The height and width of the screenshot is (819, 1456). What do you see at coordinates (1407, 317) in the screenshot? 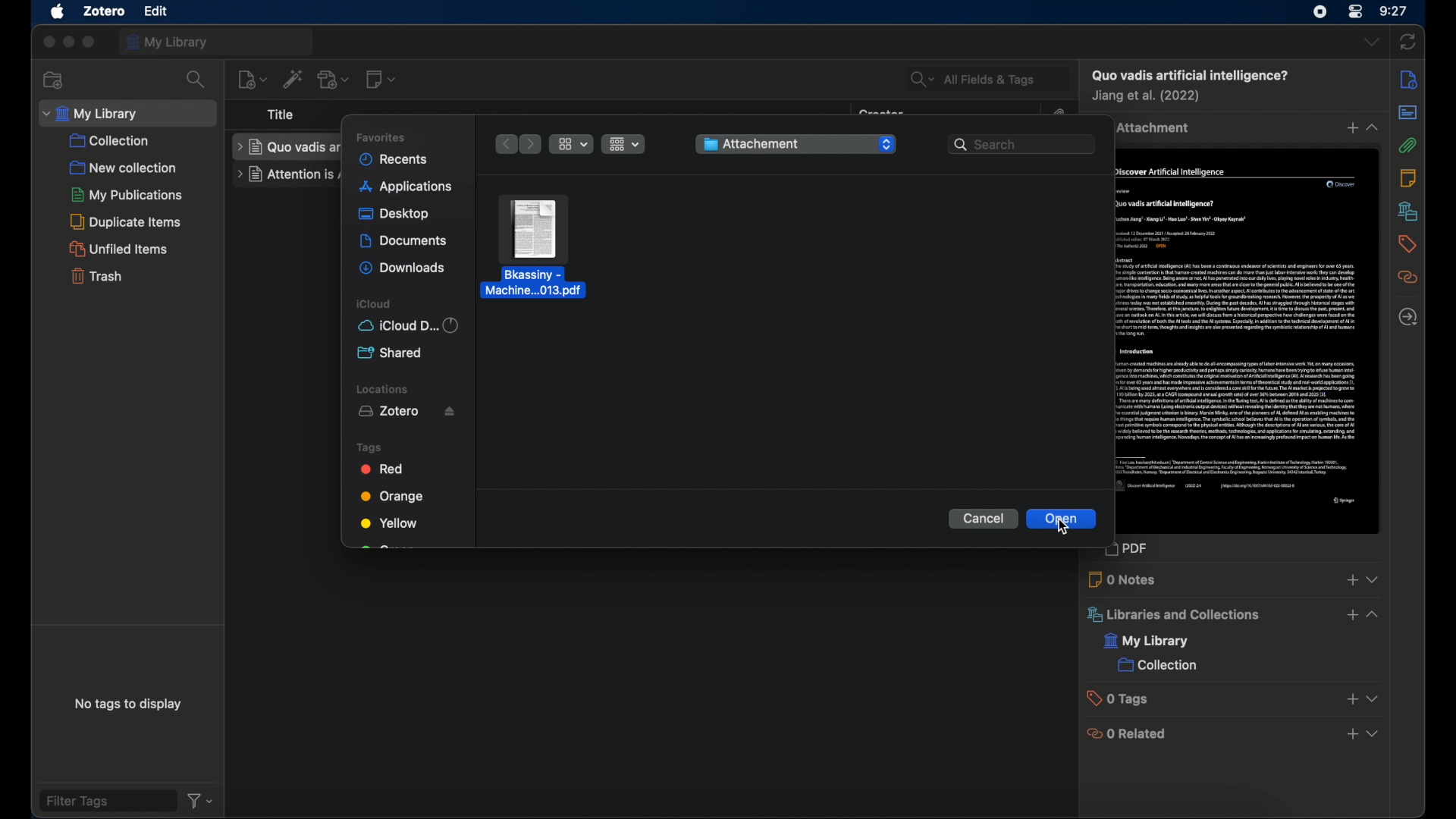
I see `located` at bounding box center [1407, 317].